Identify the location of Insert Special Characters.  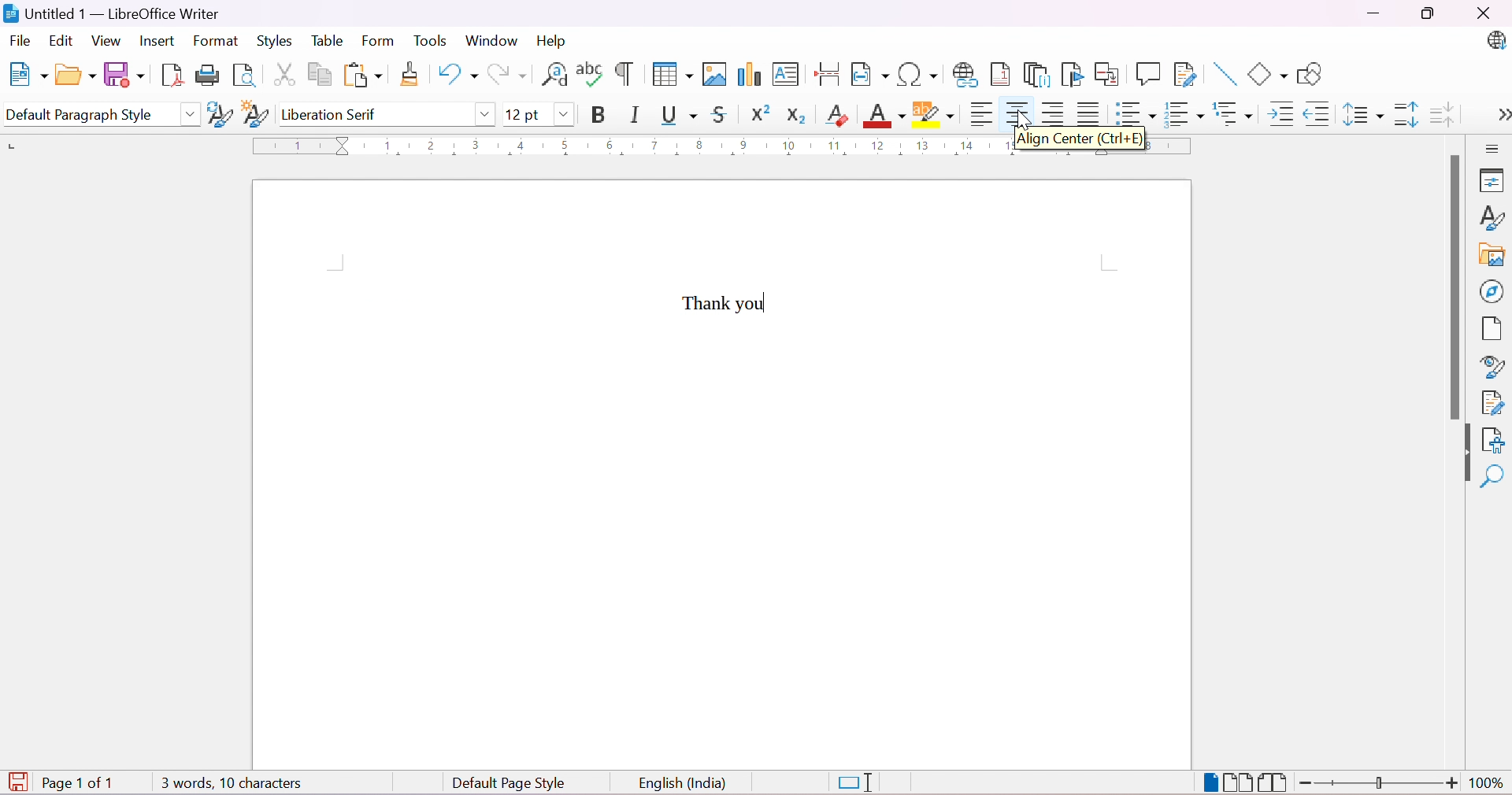
(918, 75).